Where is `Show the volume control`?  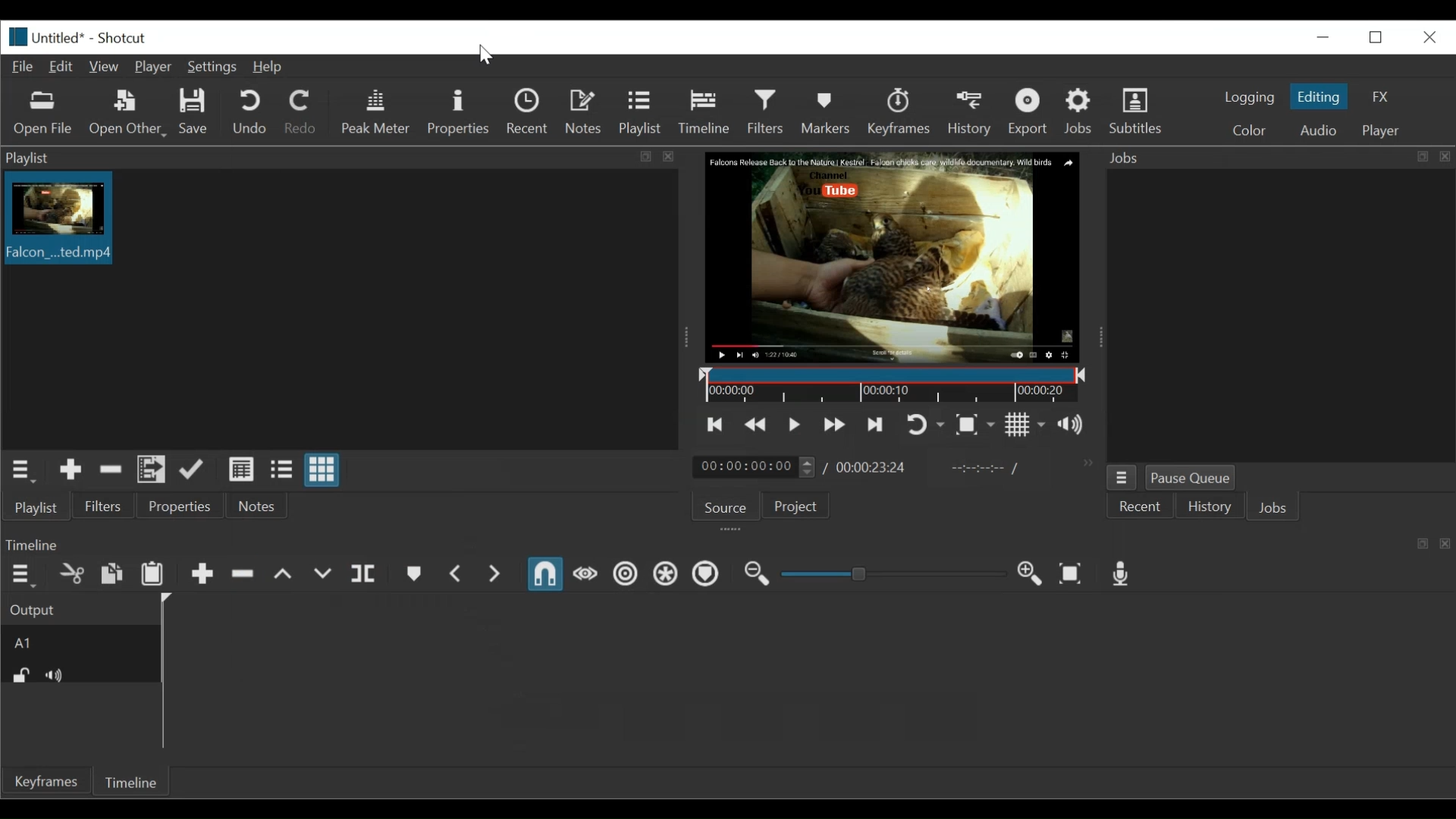
Show the volume control is located at coordinates (1075, 425).